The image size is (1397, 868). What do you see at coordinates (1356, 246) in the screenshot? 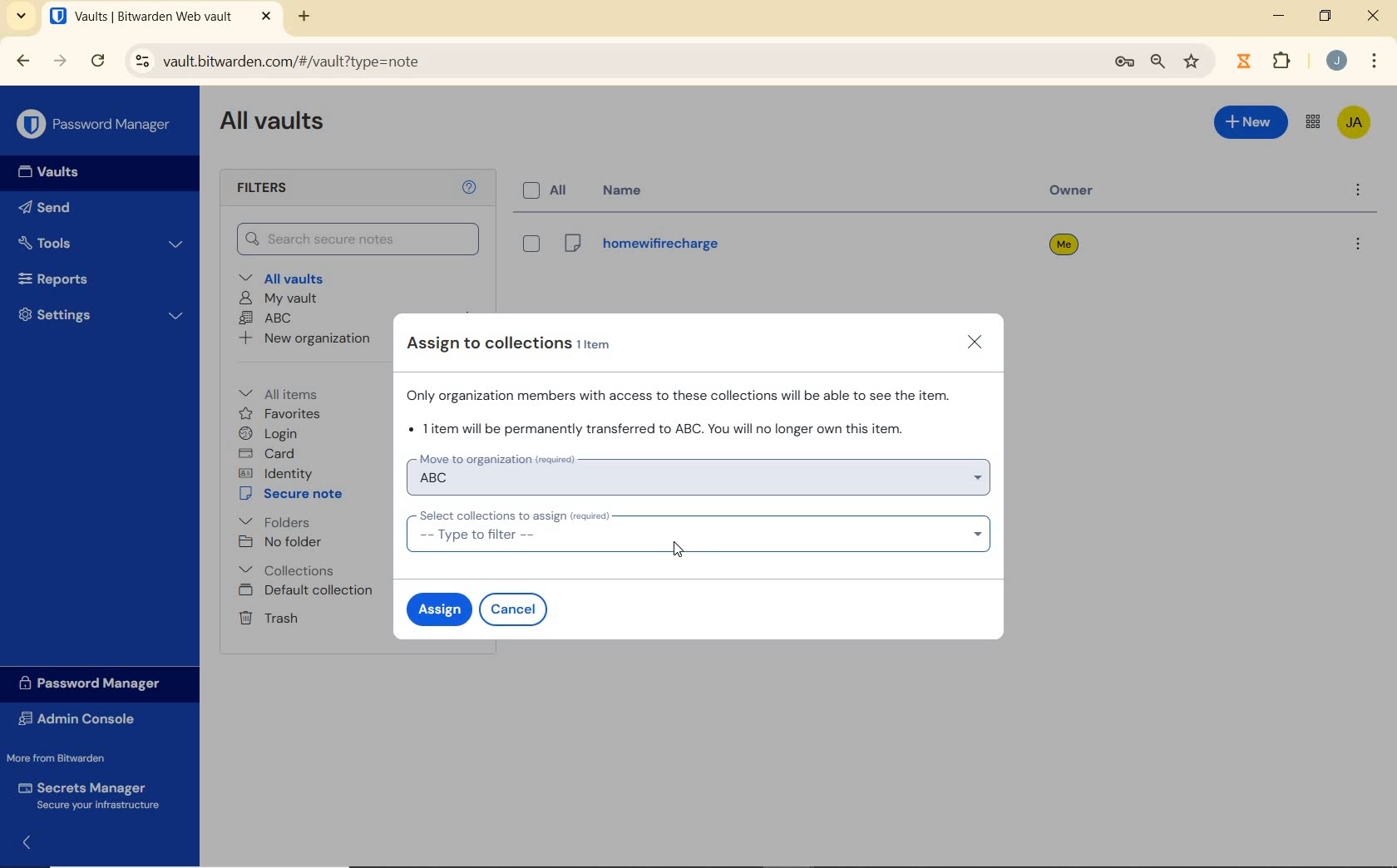
I see `more options` at bounding box center [1356, 246].